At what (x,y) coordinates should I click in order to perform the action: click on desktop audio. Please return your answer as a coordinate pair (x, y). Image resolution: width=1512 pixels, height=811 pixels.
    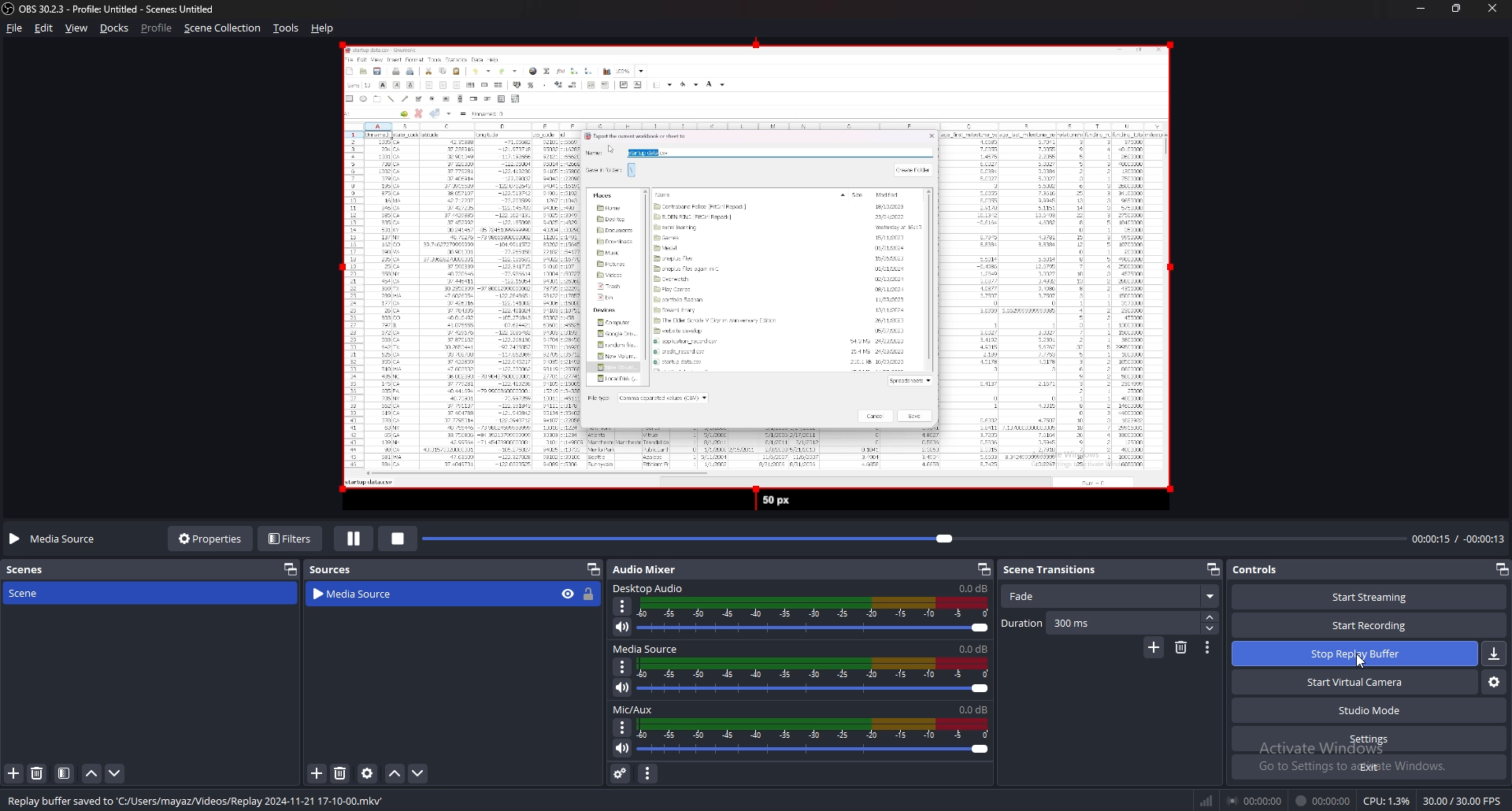
    Looking at the image, I should click on (651, 588).